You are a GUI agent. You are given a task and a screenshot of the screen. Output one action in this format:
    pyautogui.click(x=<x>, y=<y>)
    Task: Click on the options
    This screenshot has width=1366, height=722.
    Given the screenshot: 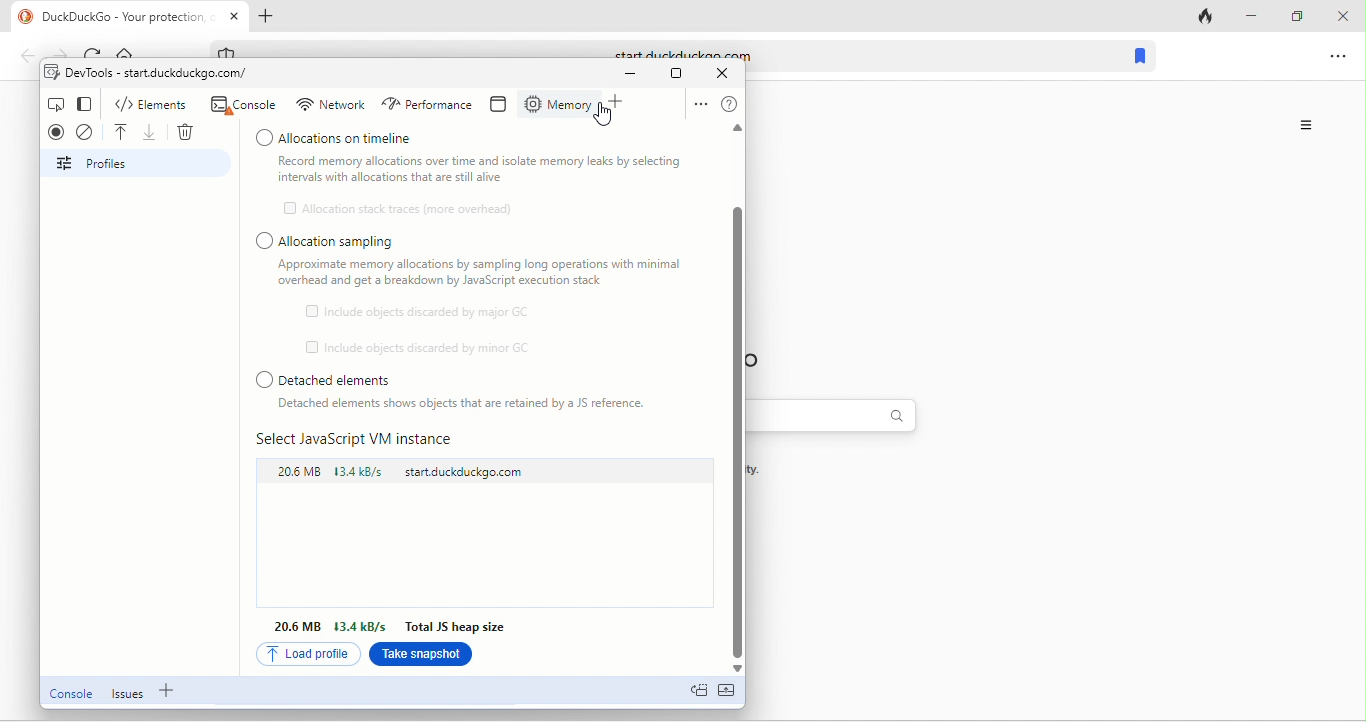 What is the action you would take?
    pyautogui.click(x=1309, y=125)
    